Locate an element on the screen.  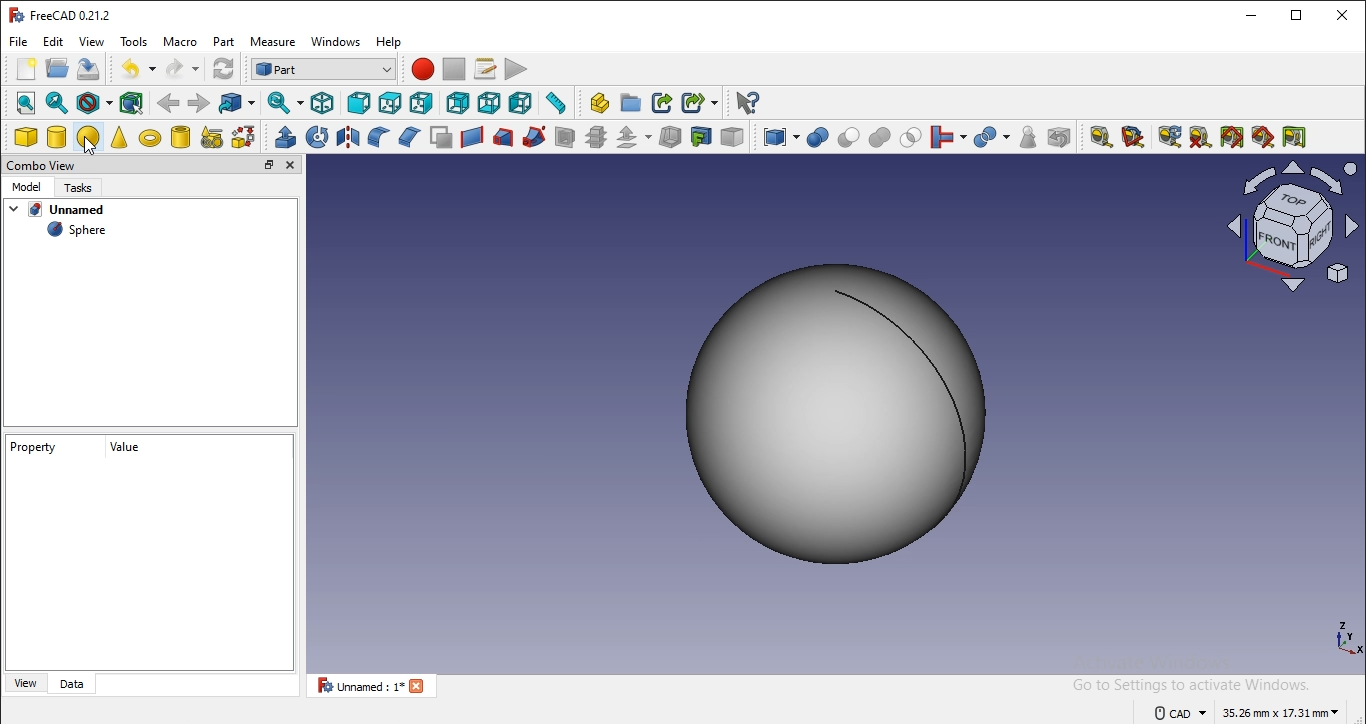
refresh is located at coordinates (1170, 136).